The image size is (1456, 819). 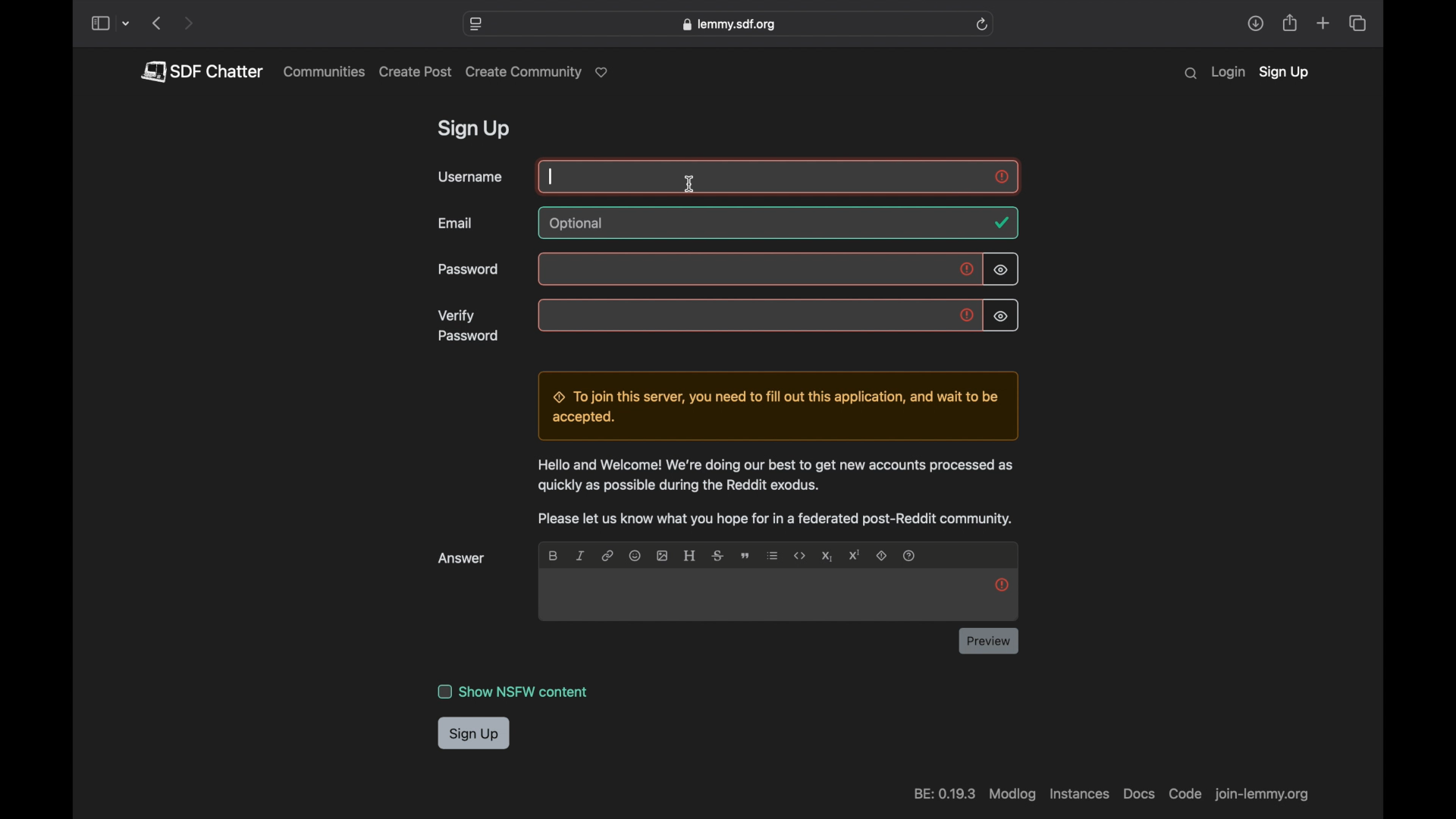 I want to click on sign up, so click(x=475, y=734).